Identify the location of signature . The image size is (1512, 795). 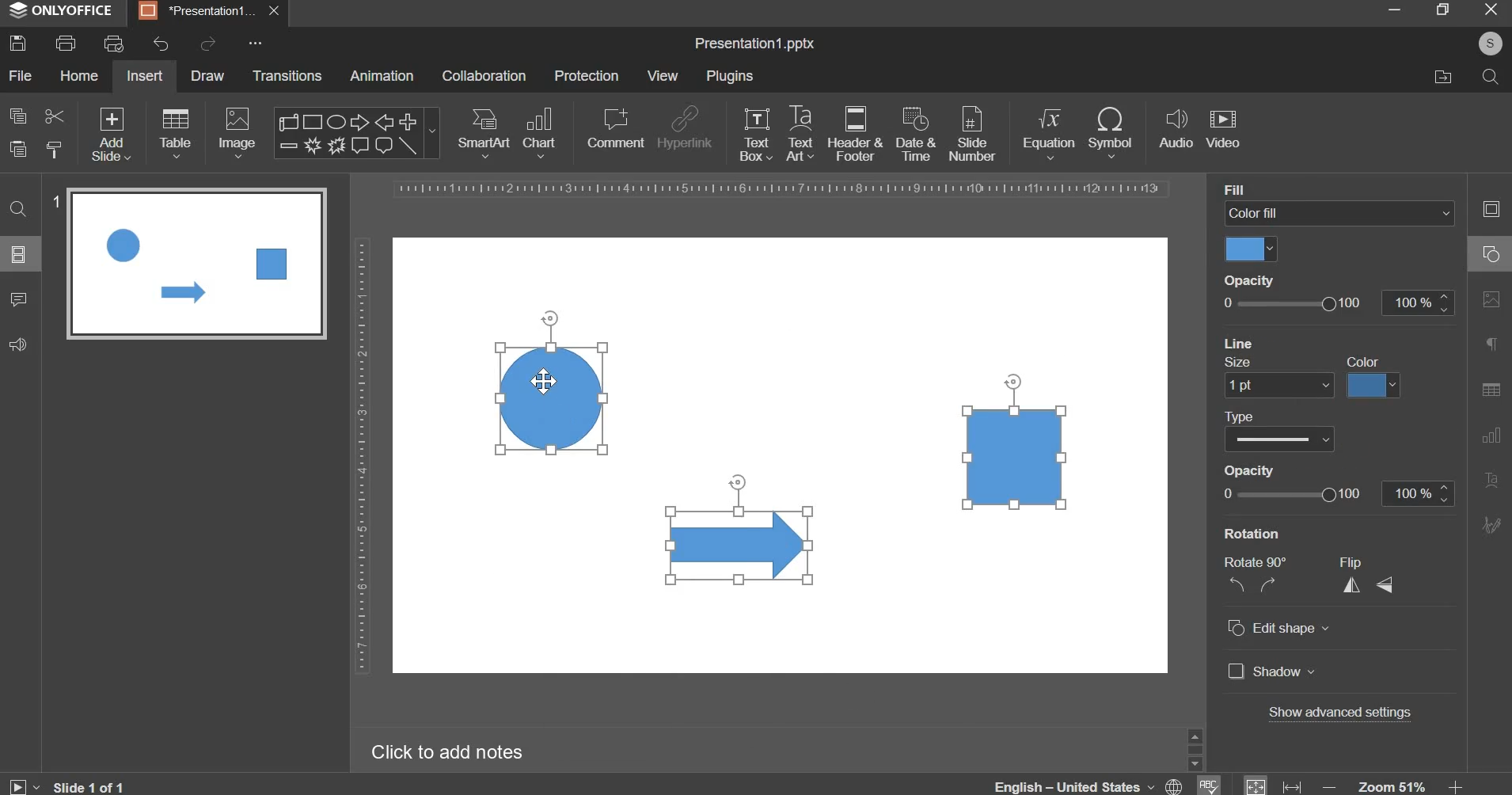
(1491, 524).